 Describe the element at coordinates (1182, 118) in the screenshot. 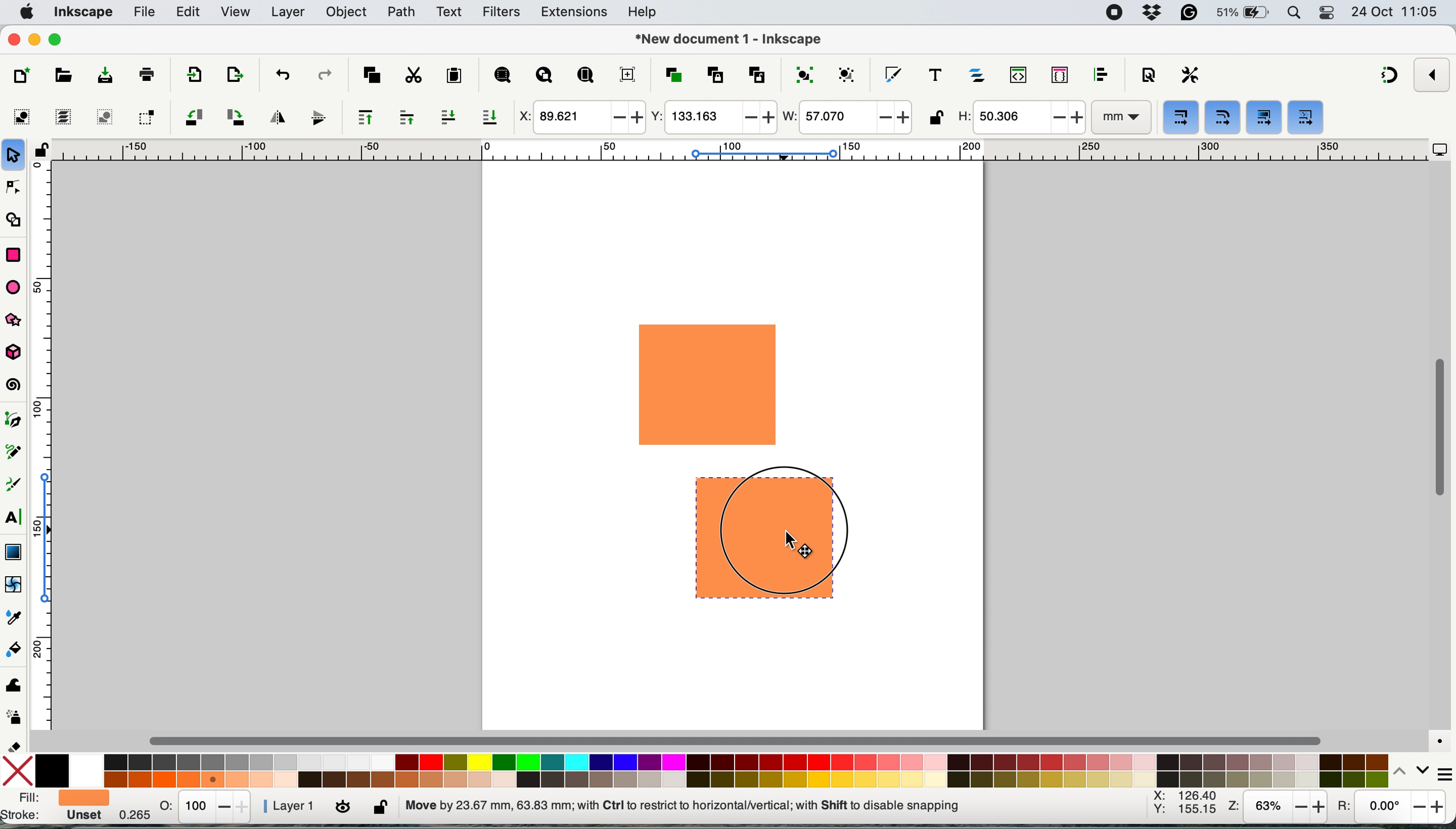

I see `when scaling objects scale the stroke width by same proportion` at that location.